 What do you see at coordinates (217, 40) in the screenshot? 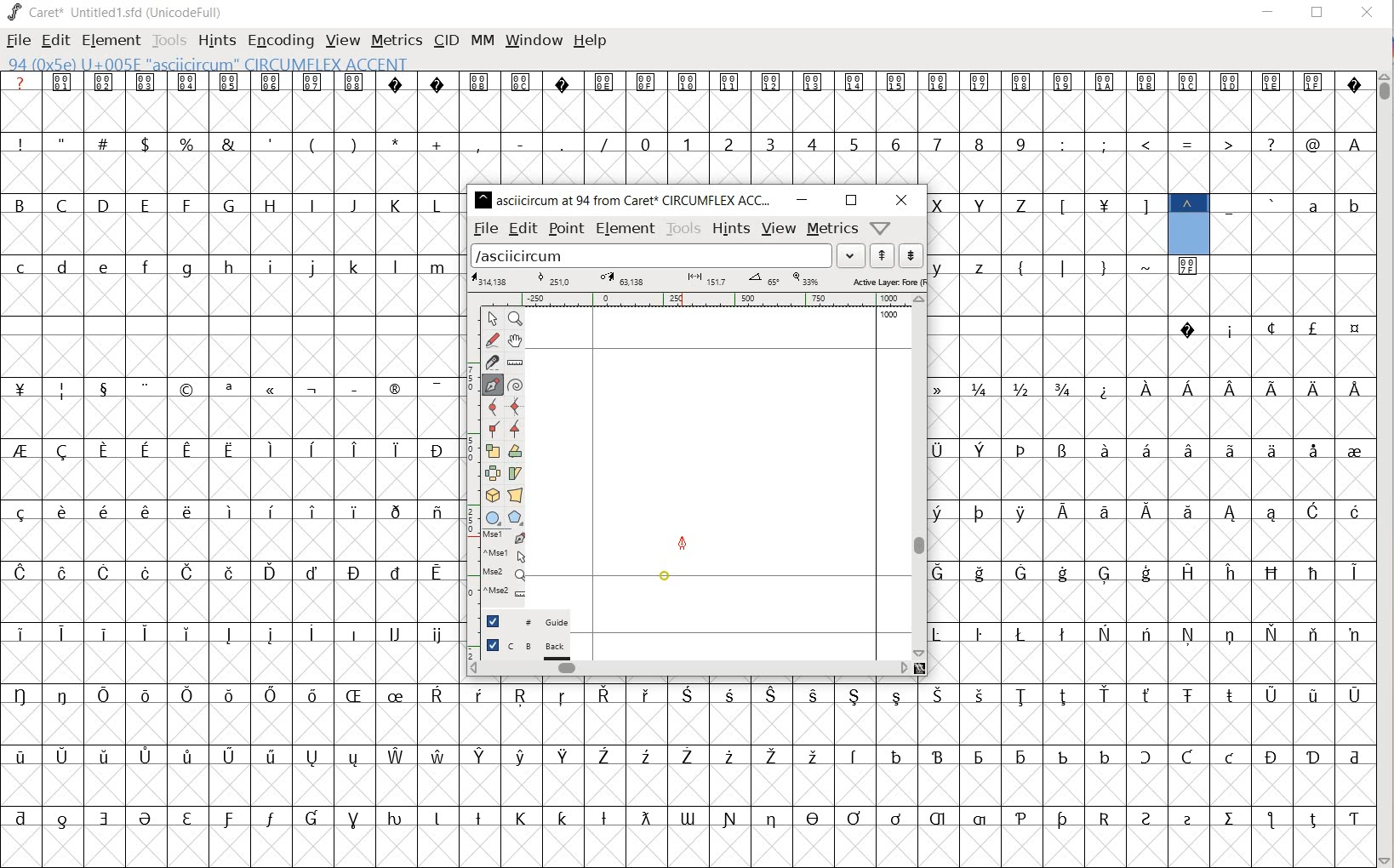
I see `HINTS` at bounding box center [217, 40].